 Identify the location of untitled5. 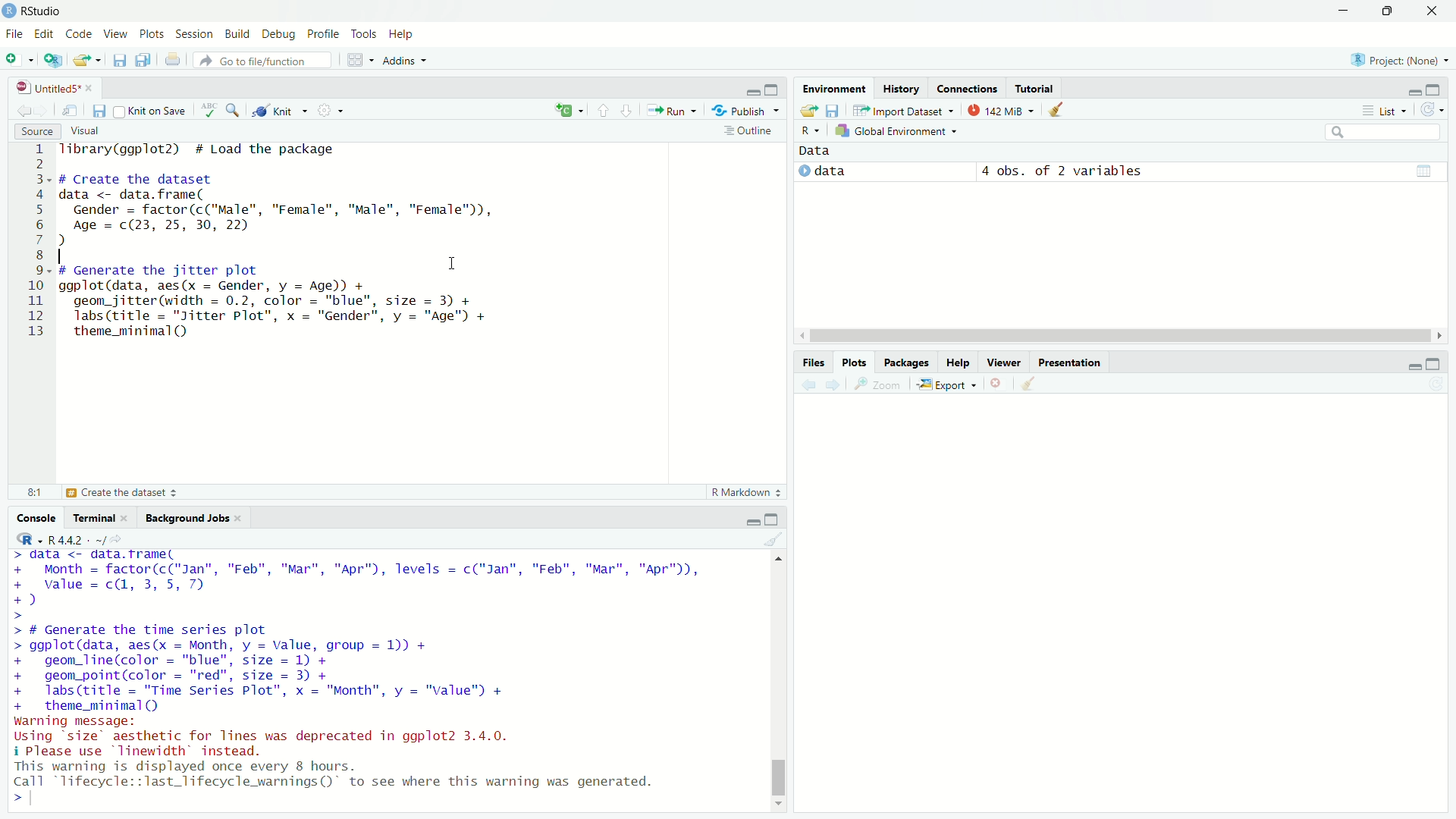
(42, 88).